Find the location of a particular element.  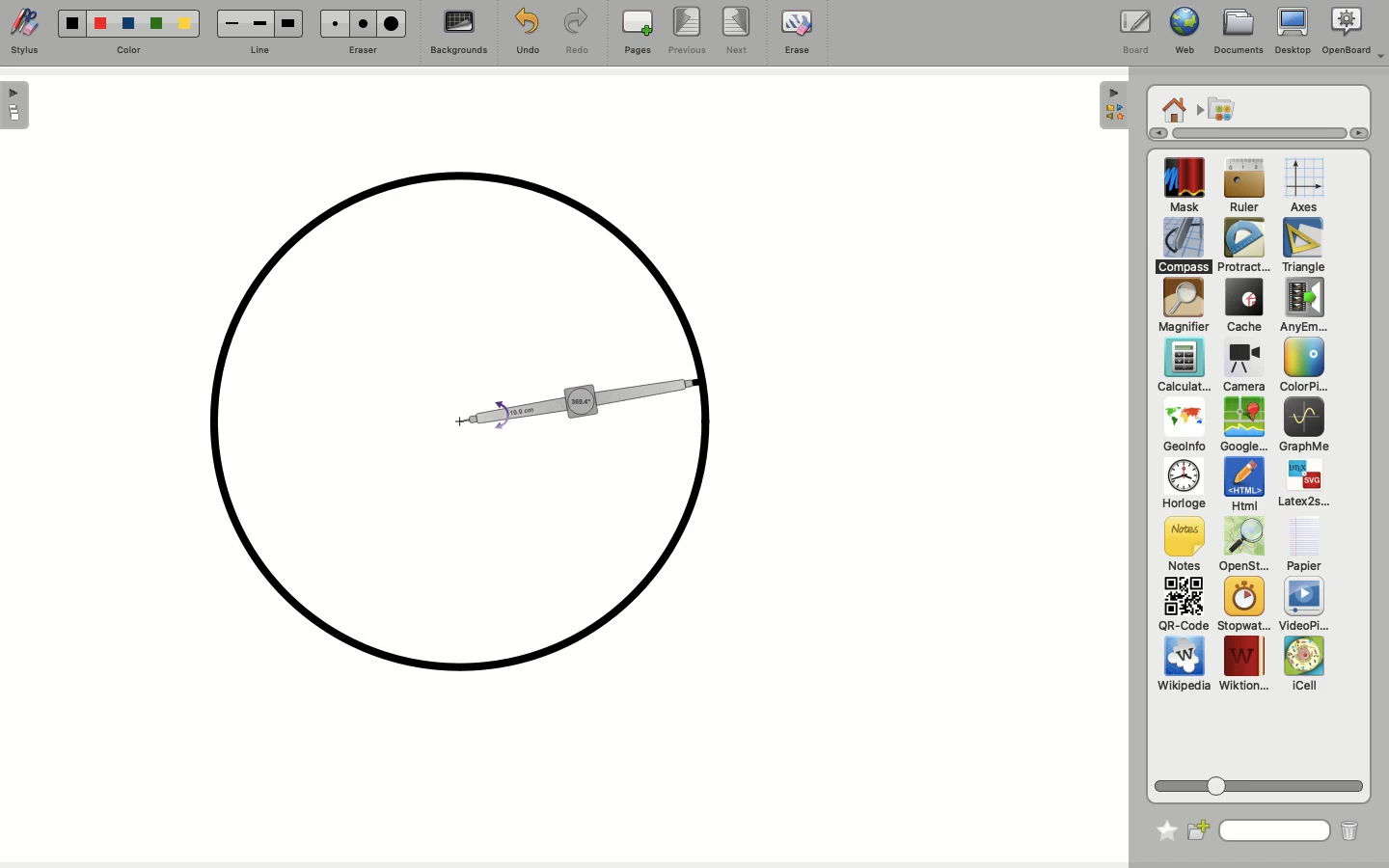

color 4 is located at coordinates (155, 25).